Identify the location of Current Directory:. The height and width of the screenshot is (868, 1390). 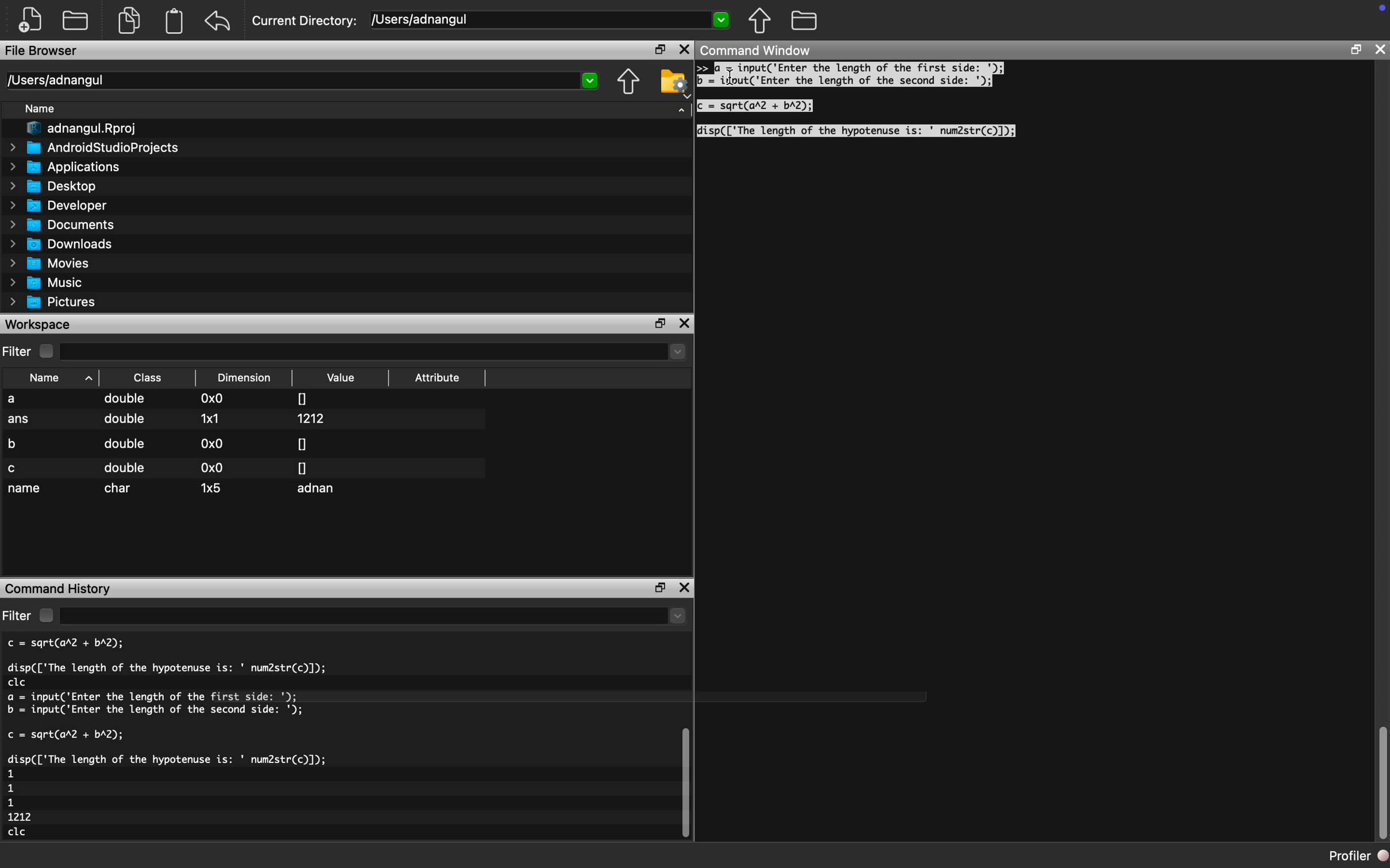
(306, 22).